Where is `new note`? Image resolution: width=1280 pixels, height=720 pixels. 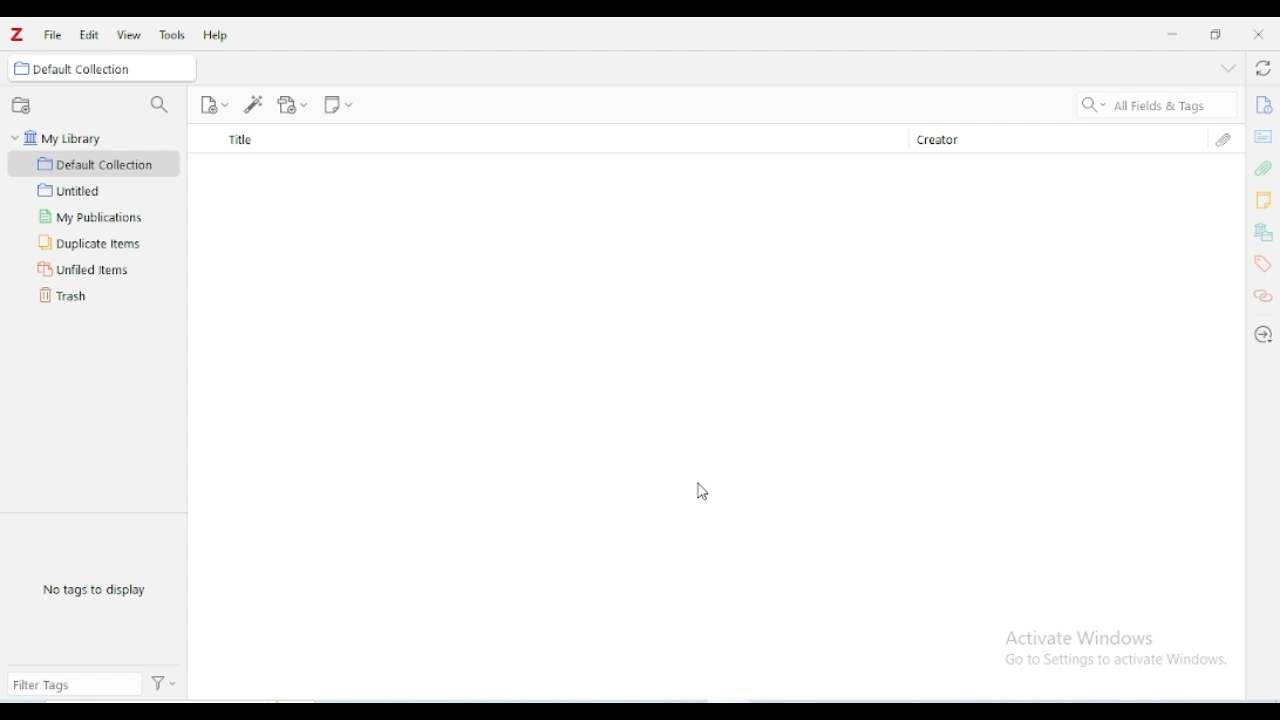
new note is located at coordinates (338, 103).